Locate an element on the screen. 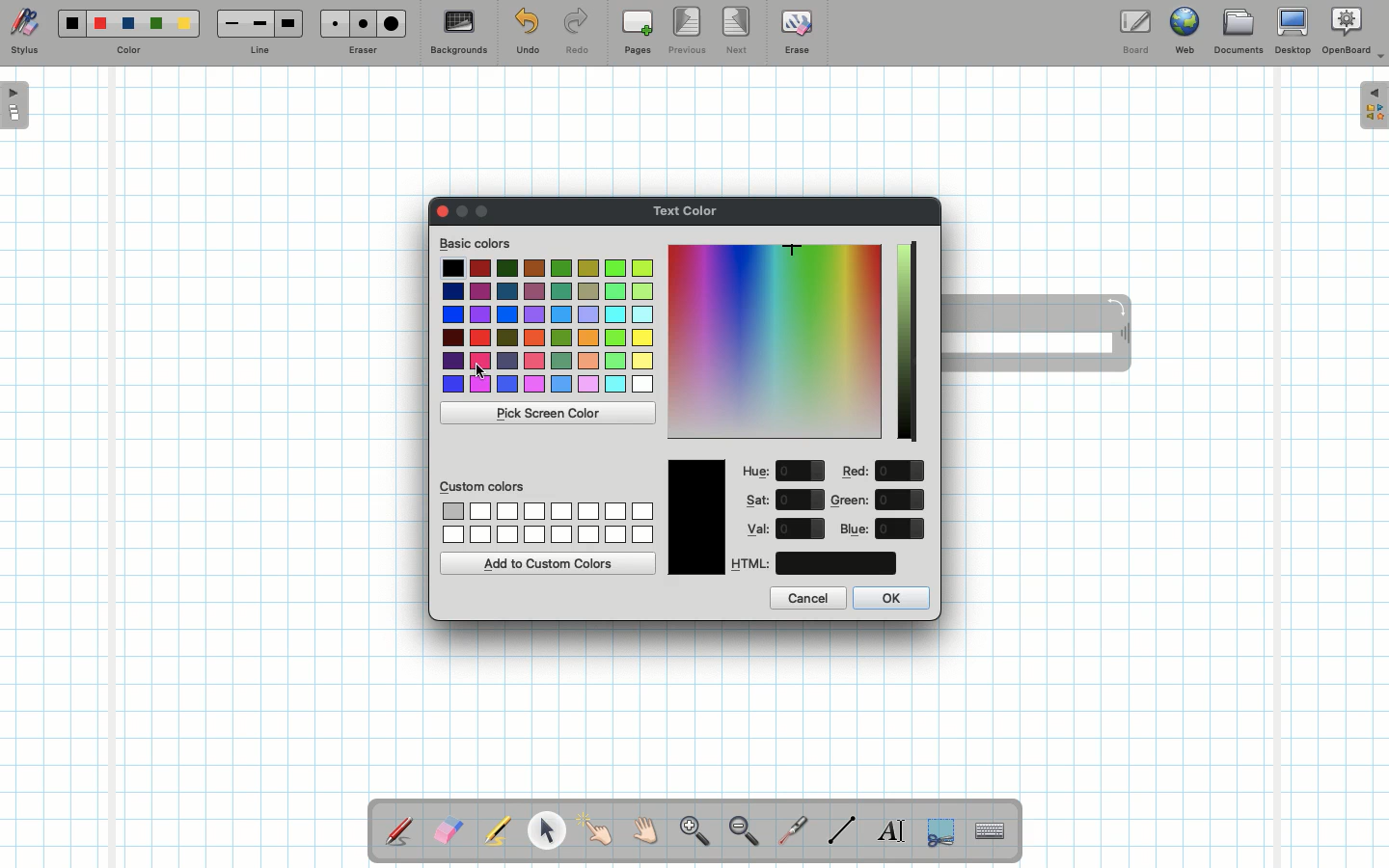 The image size is (1389, 868). Custom colors is located at coordinates (547, 523).